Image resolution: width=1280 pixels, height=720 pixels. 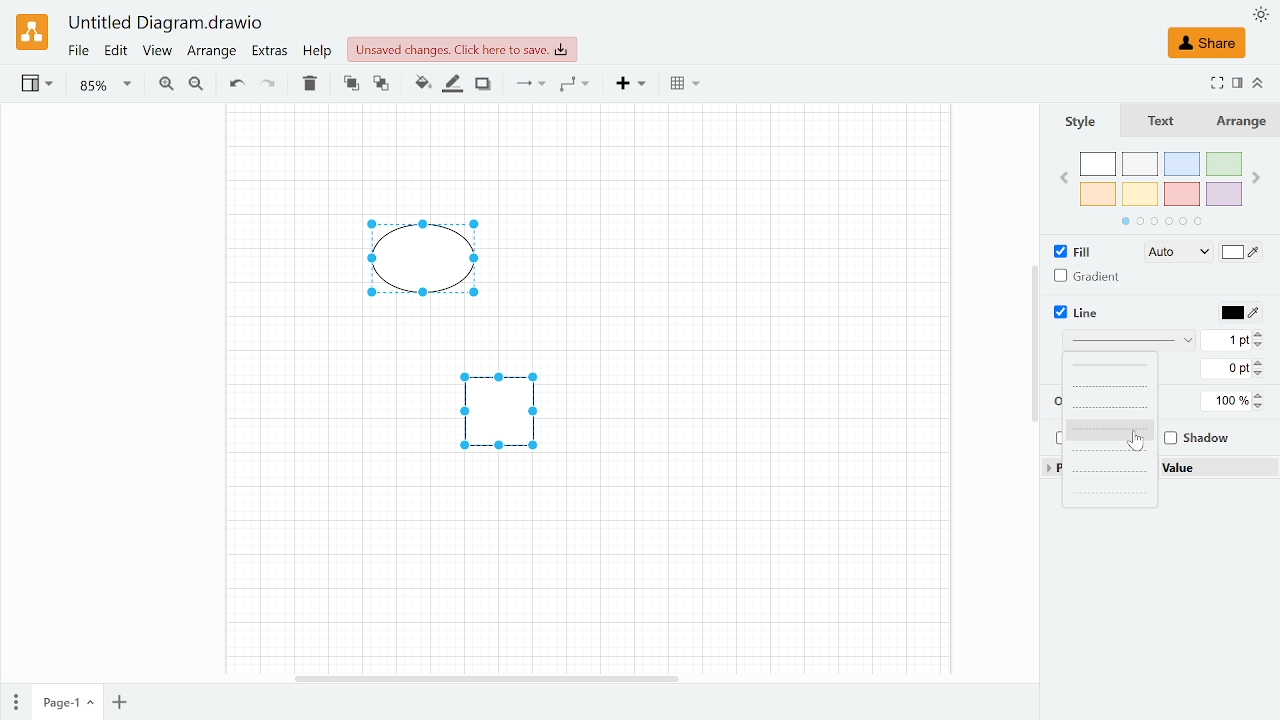 I want to click on Undo, so click(x=236, y=85).